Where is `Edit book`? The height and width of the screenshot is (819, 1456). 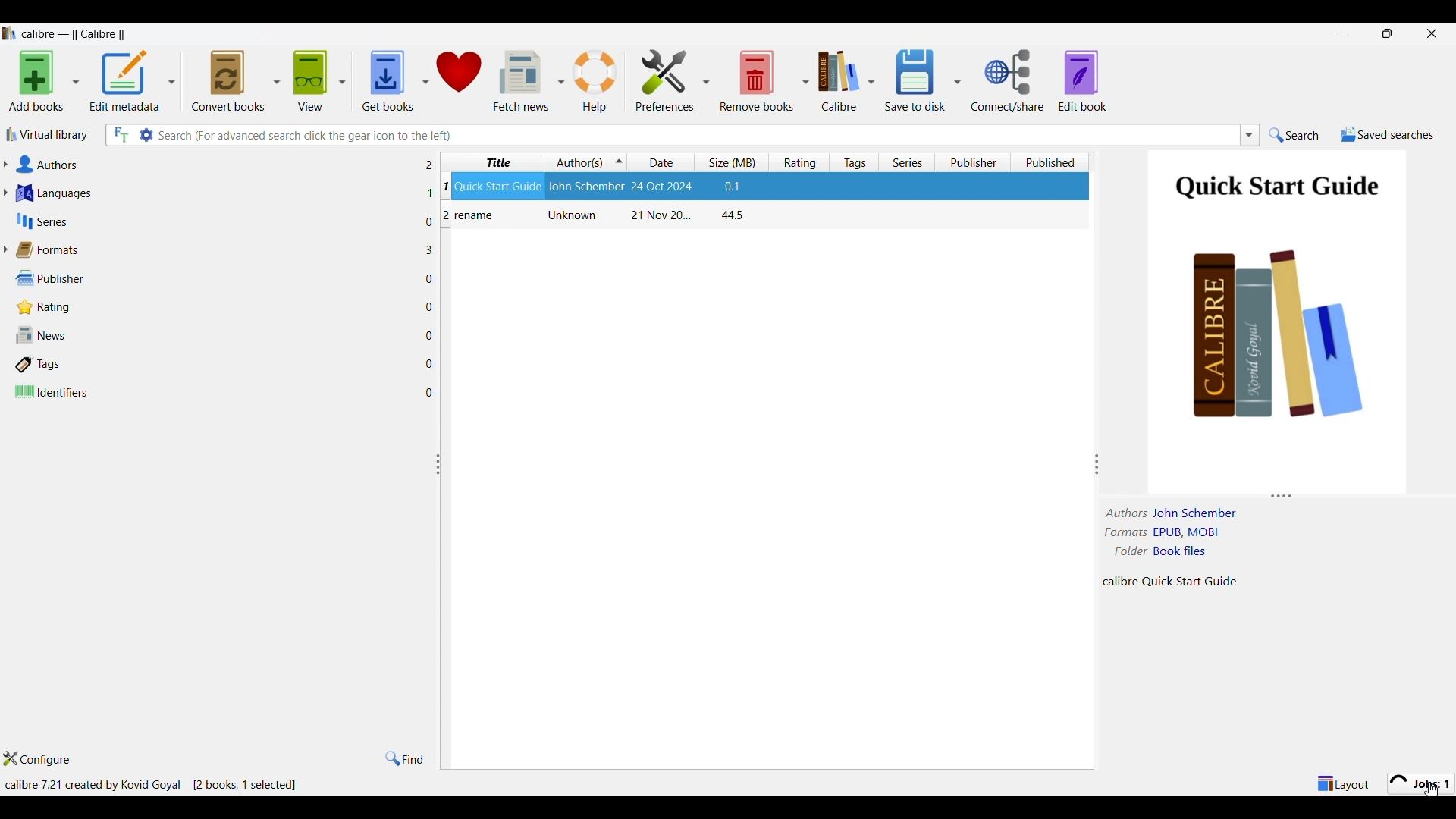 Edit book is located at coordinates (1082, 81).